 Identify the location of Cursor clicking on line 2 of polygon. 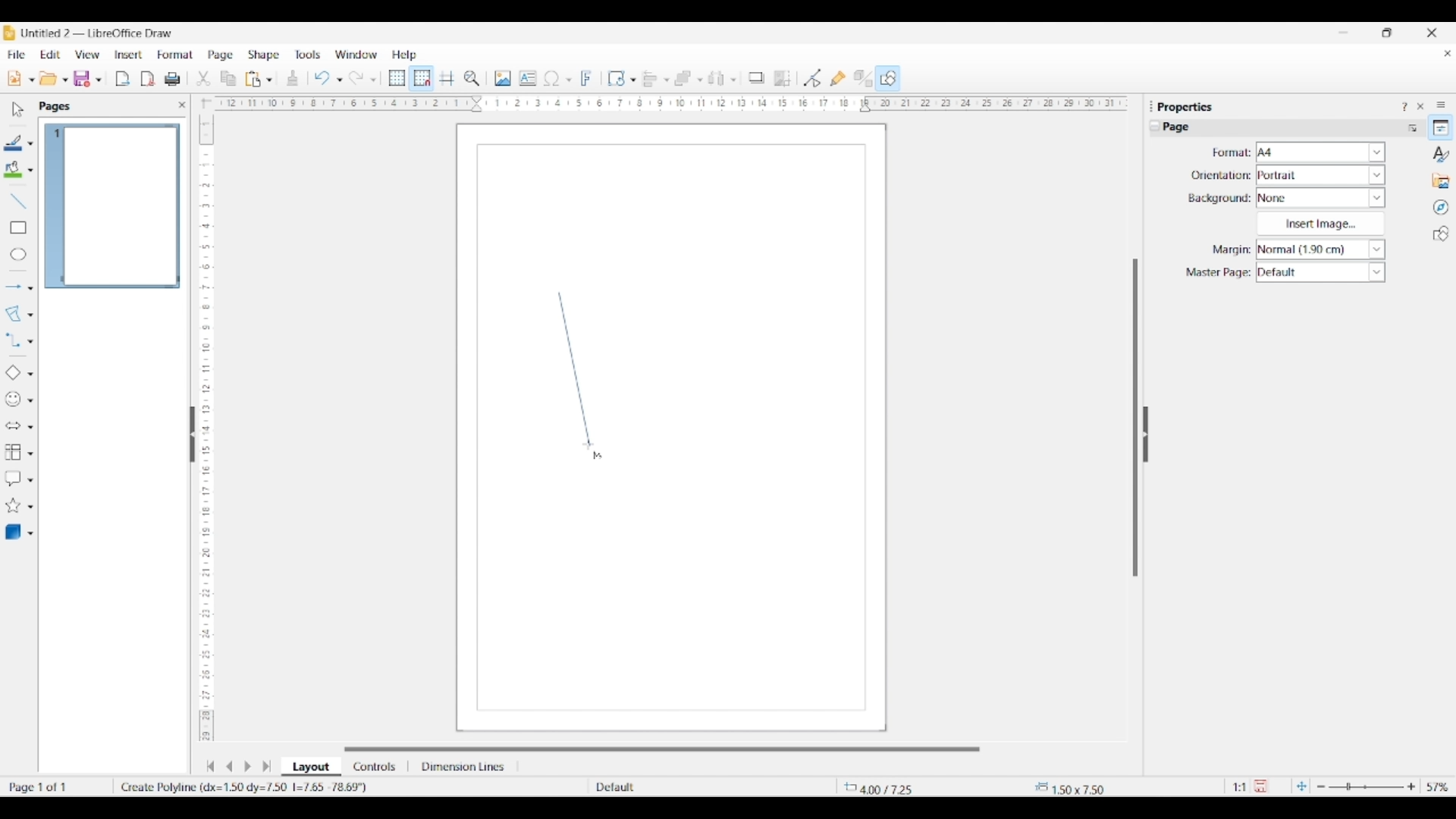
(588, 445).